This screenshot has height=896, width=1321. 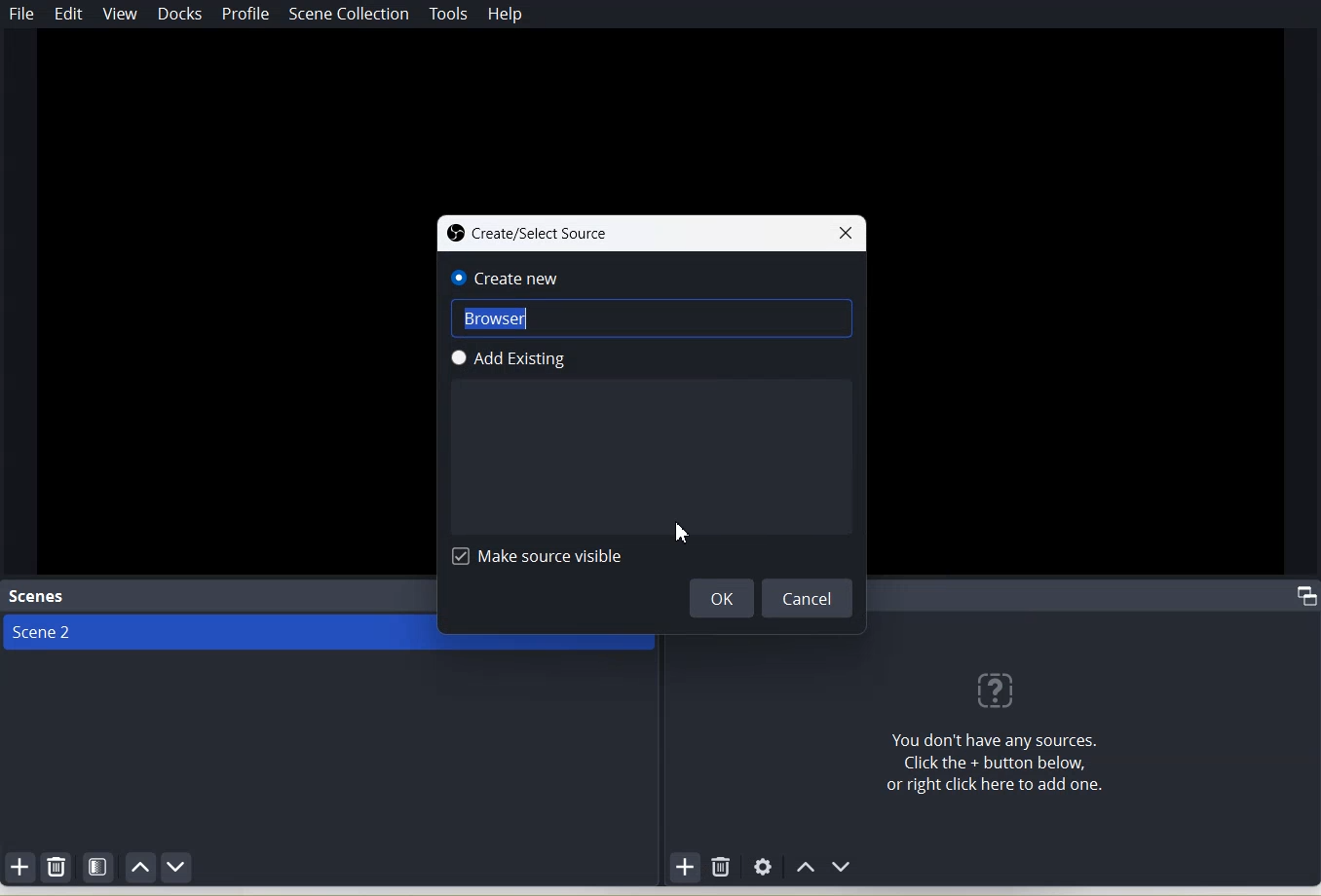 I want to click on Move source down, so click(x=843, y=867).